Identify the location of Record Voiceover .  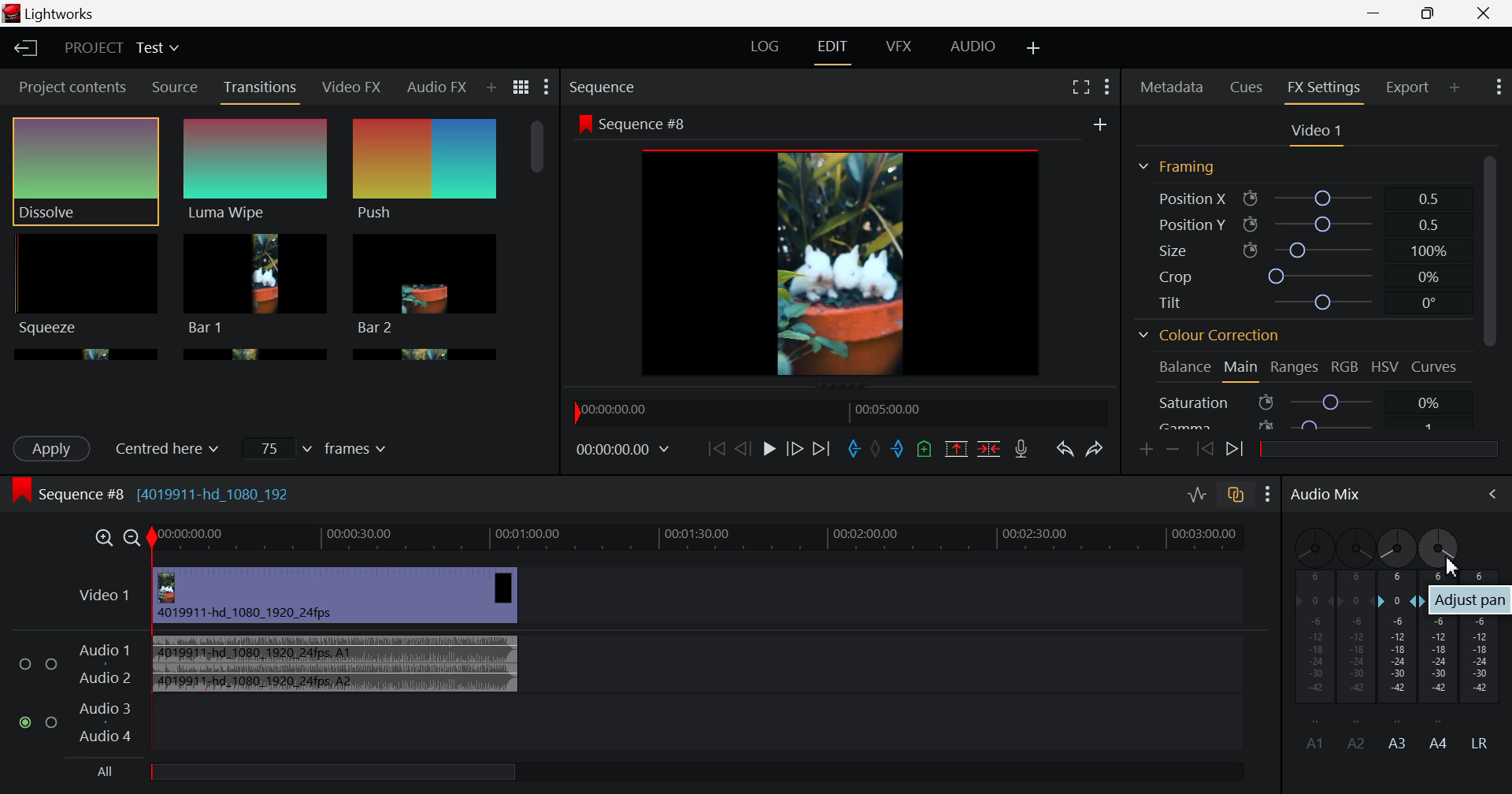
(1021, 448).